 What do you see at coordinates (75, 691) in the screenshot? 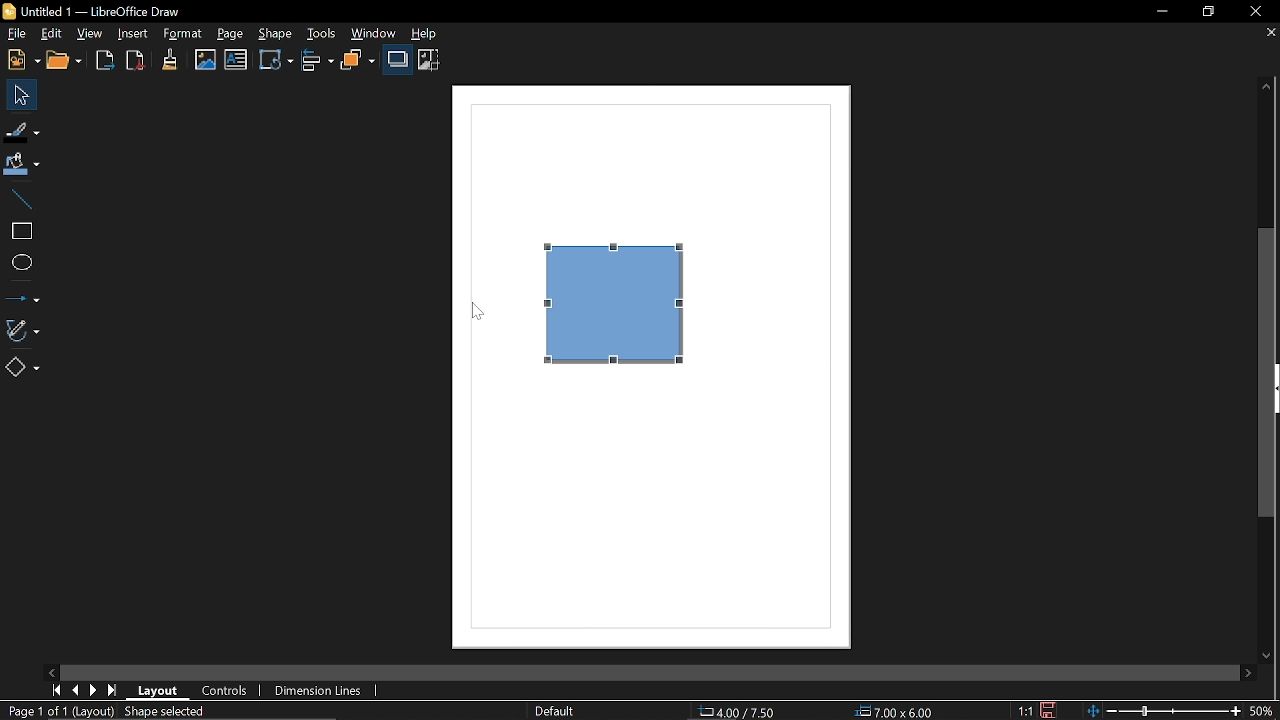
I see `Previous page` at bounding box center [75, 691].